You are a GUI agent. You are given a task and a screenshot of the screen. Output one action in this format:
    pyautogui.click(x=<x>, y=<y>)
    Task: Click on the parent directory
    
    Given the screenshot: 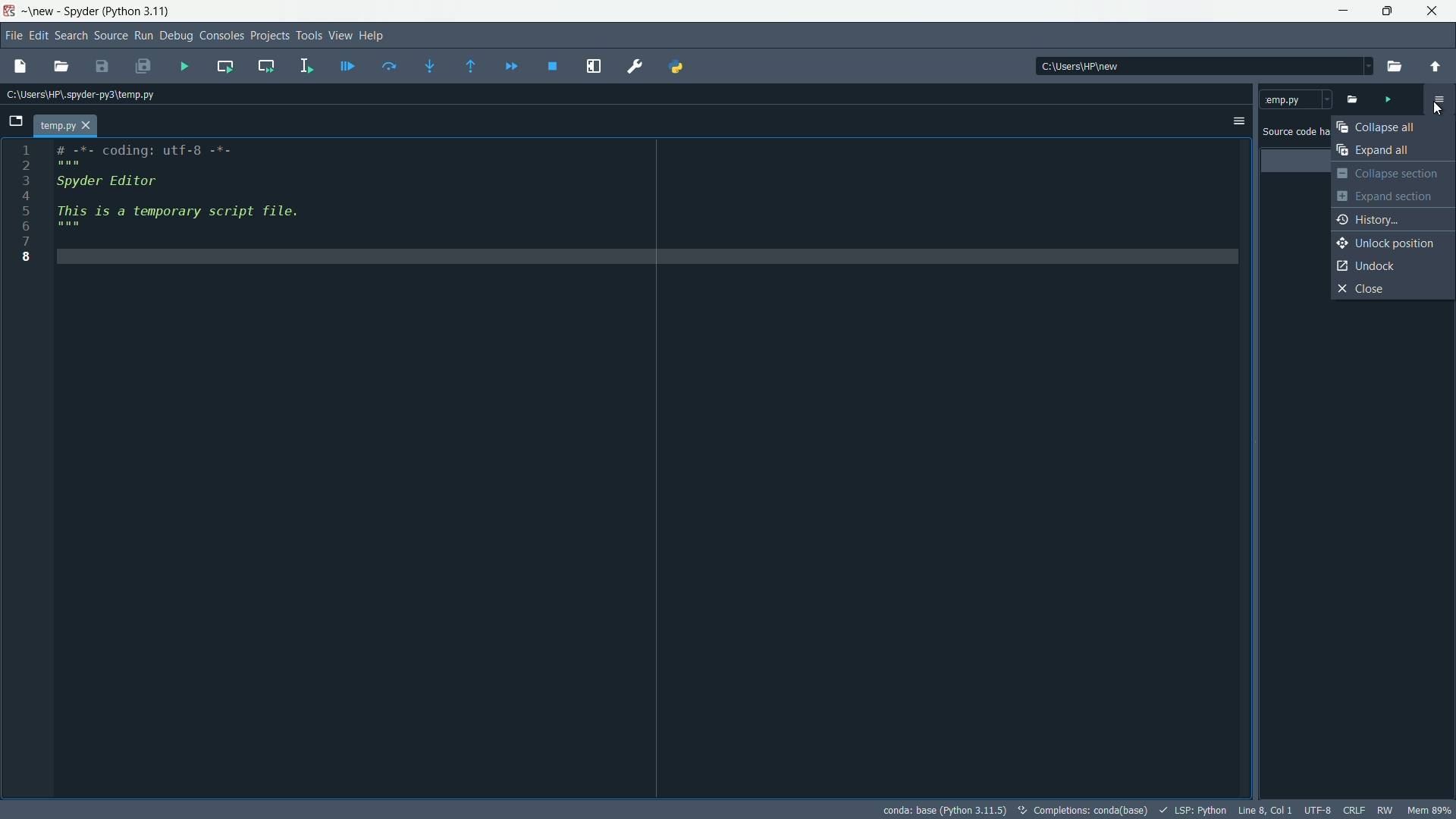 What is the action you would take?
    pyautogui.click(x=1439, y=64)
    